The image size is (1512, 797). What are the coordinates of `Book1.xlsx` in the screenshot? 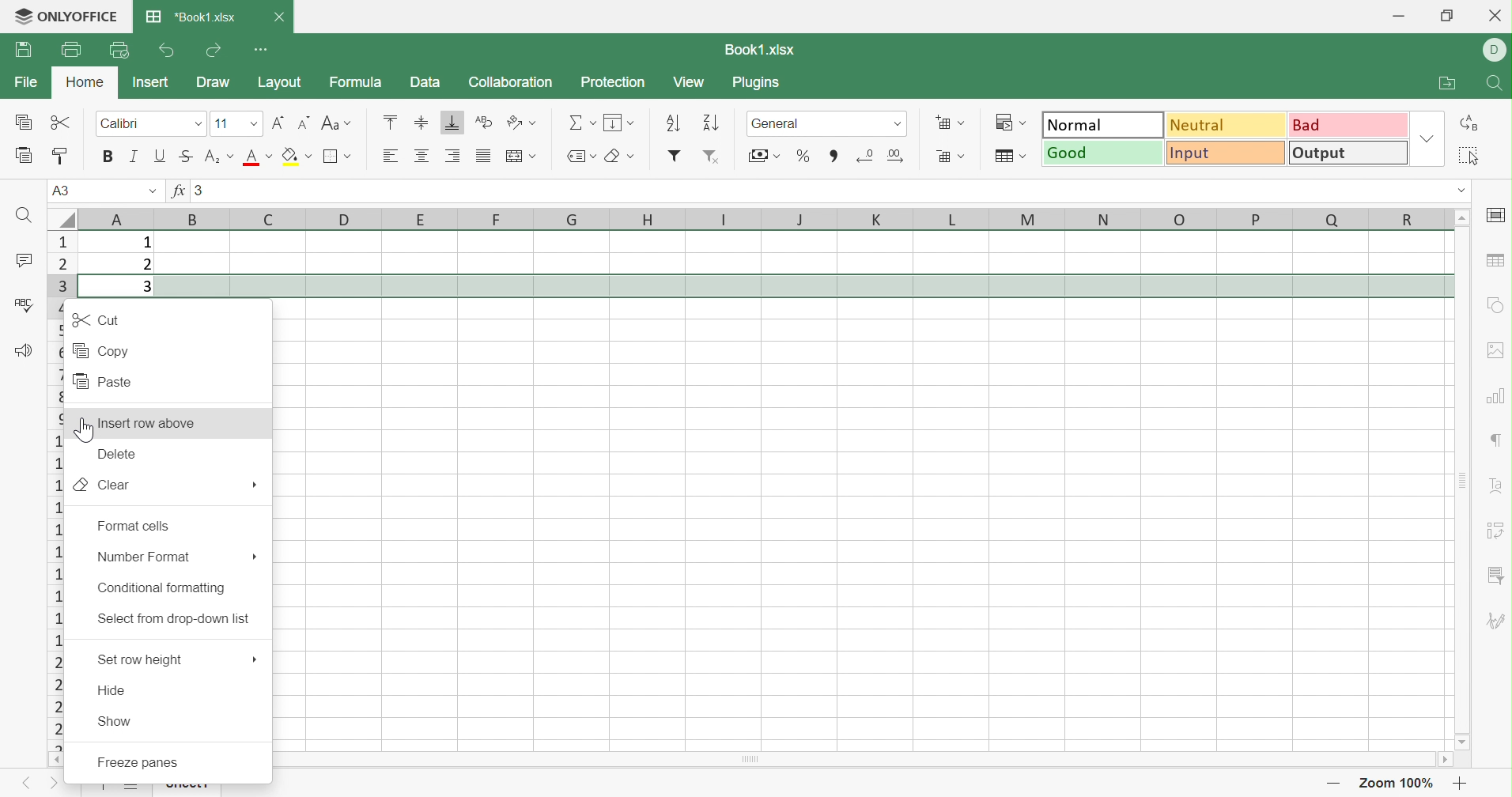 It's located at (765, 47).